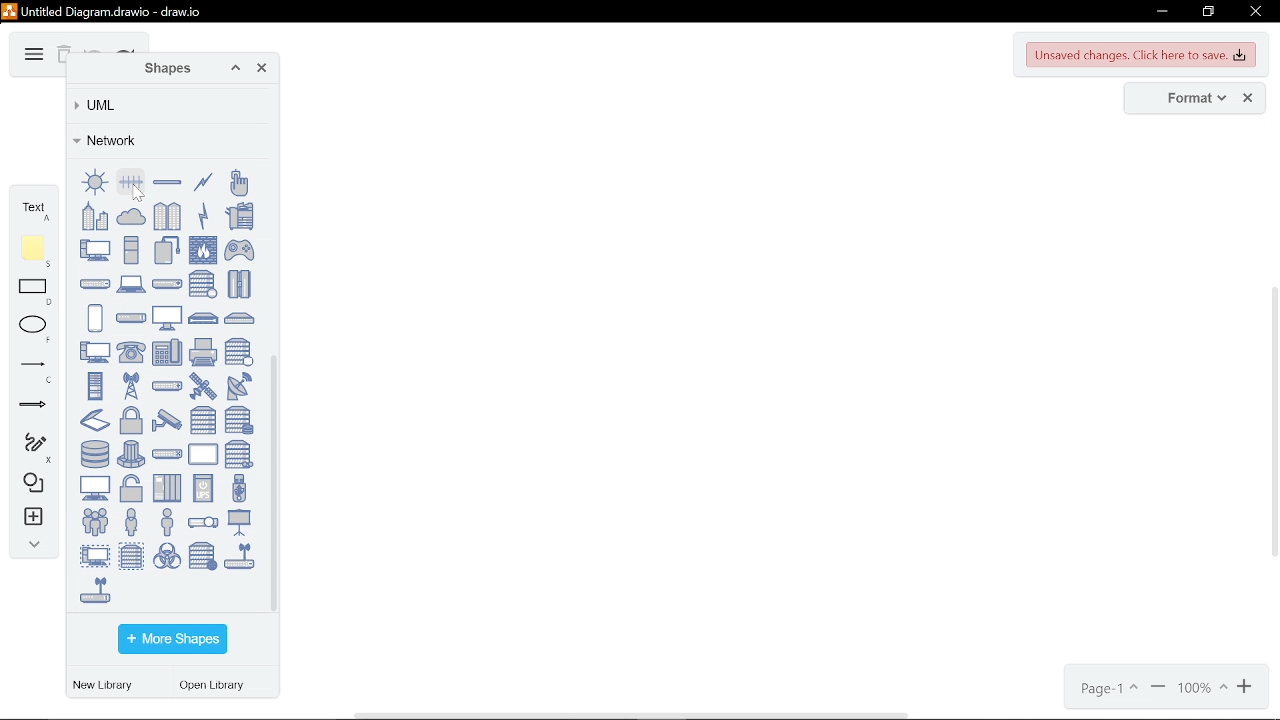 This screenshot has height=720, width=1280. Describe the element at coordinates (131, 385) in the screenshot. I see `radio tower` at that location.